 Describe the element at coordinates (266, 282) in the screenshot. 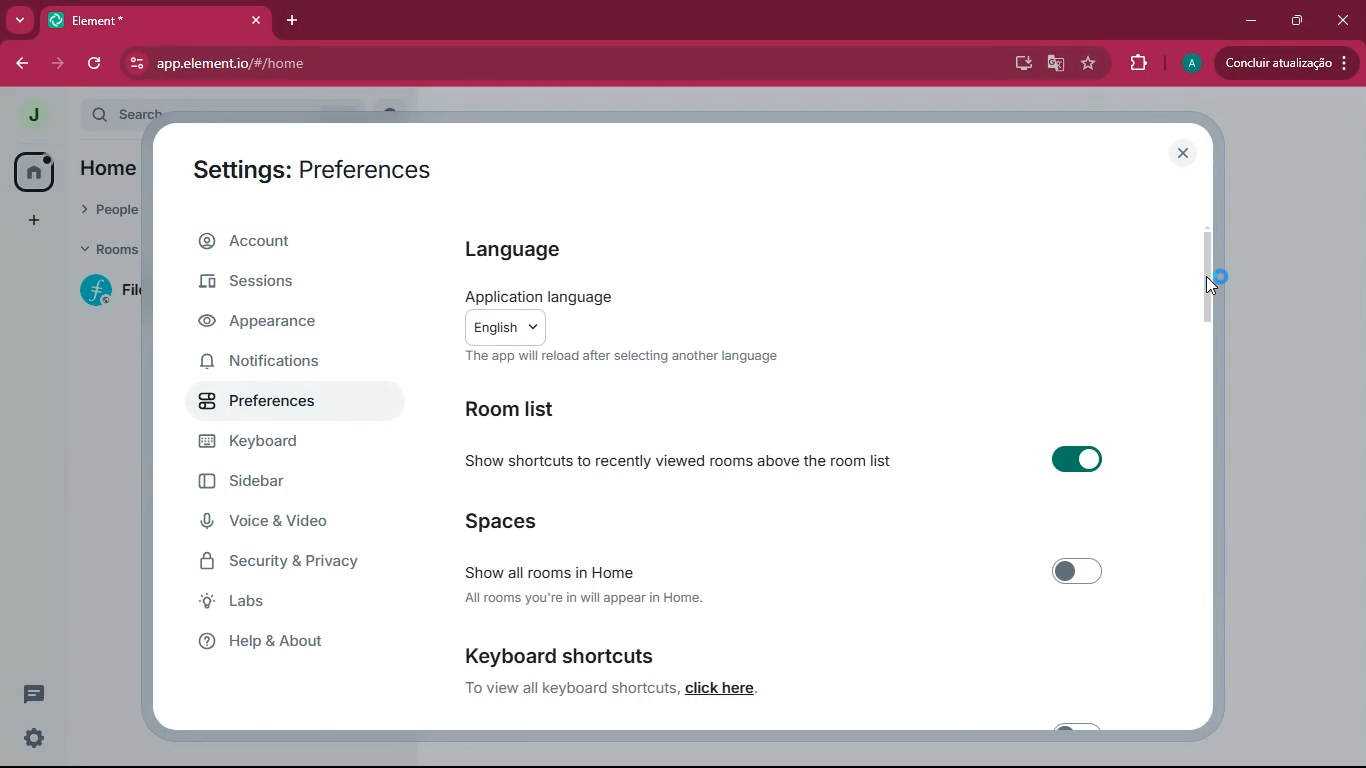

I see `Sessions` at that location.